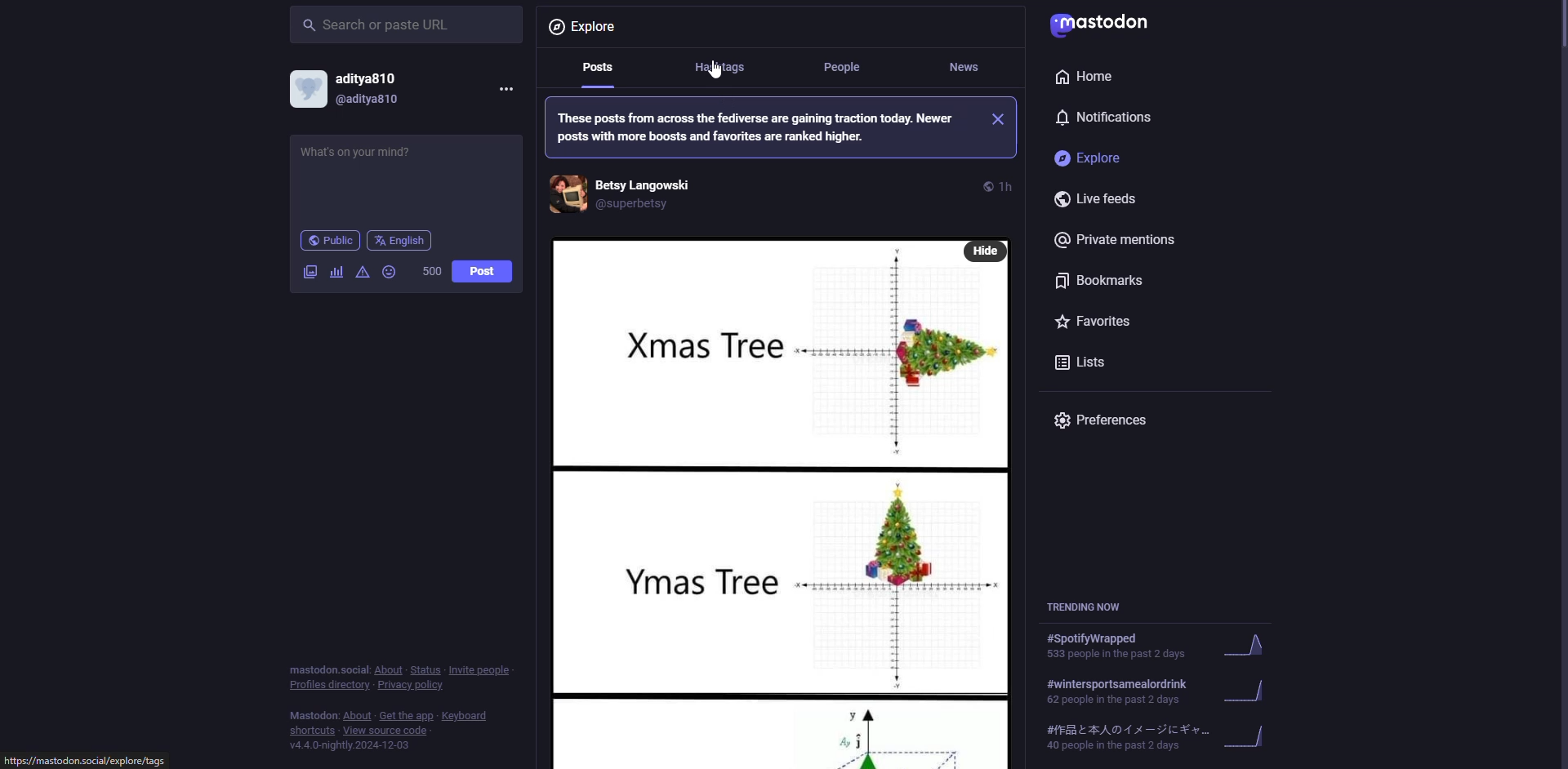 The image size is (1568, 769). What do you see at coordinates (1120, 241) in the screenshot?
I see `private mentions` at bounding box center [1120, 241].